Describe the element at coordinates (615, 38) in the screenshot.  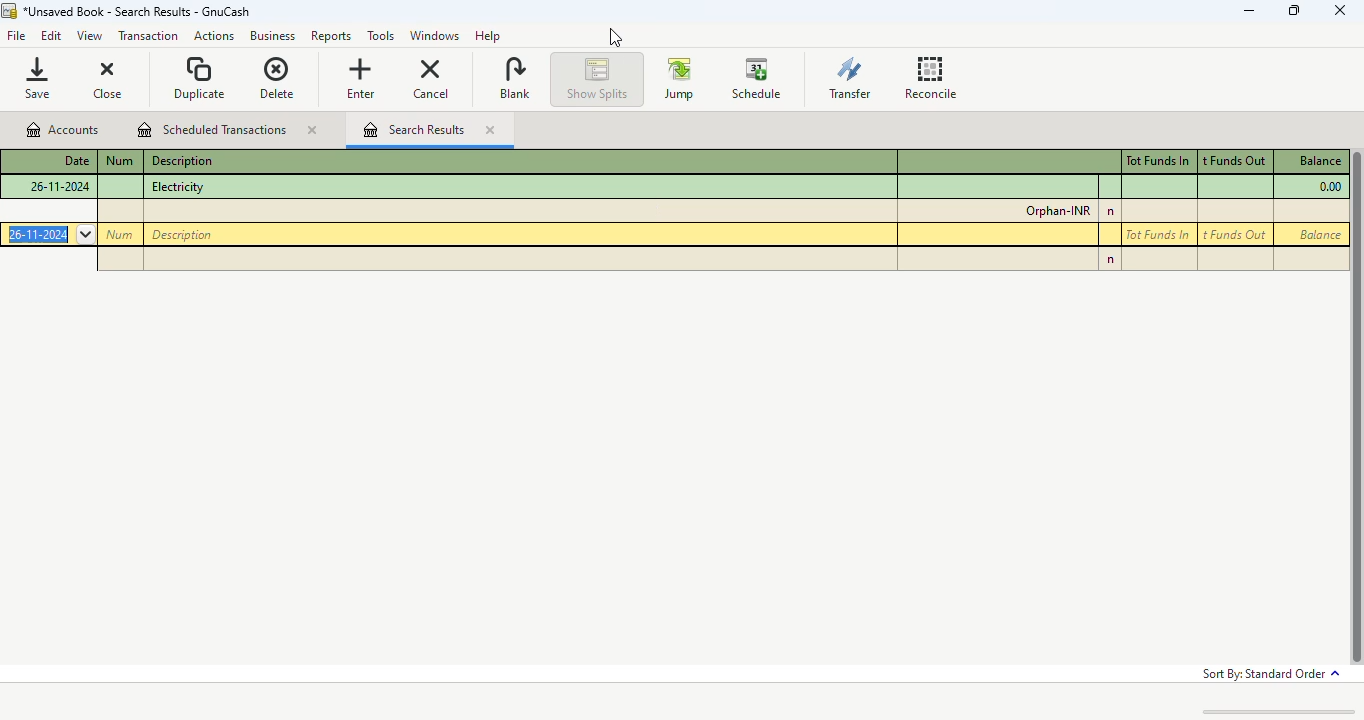
I see `cursor` at that location.